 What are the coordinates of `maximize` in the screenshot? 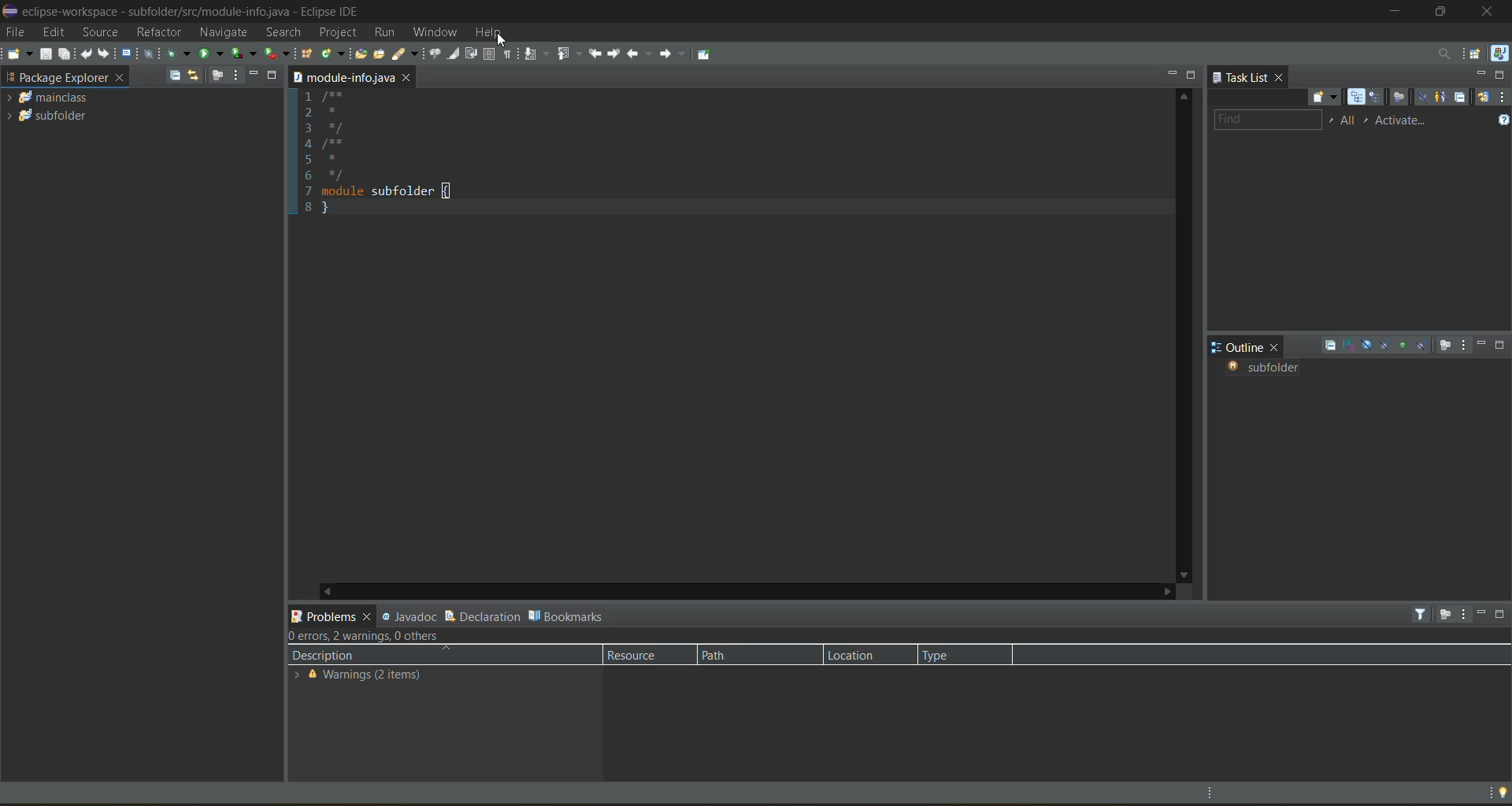 It's located at (1193, 76).